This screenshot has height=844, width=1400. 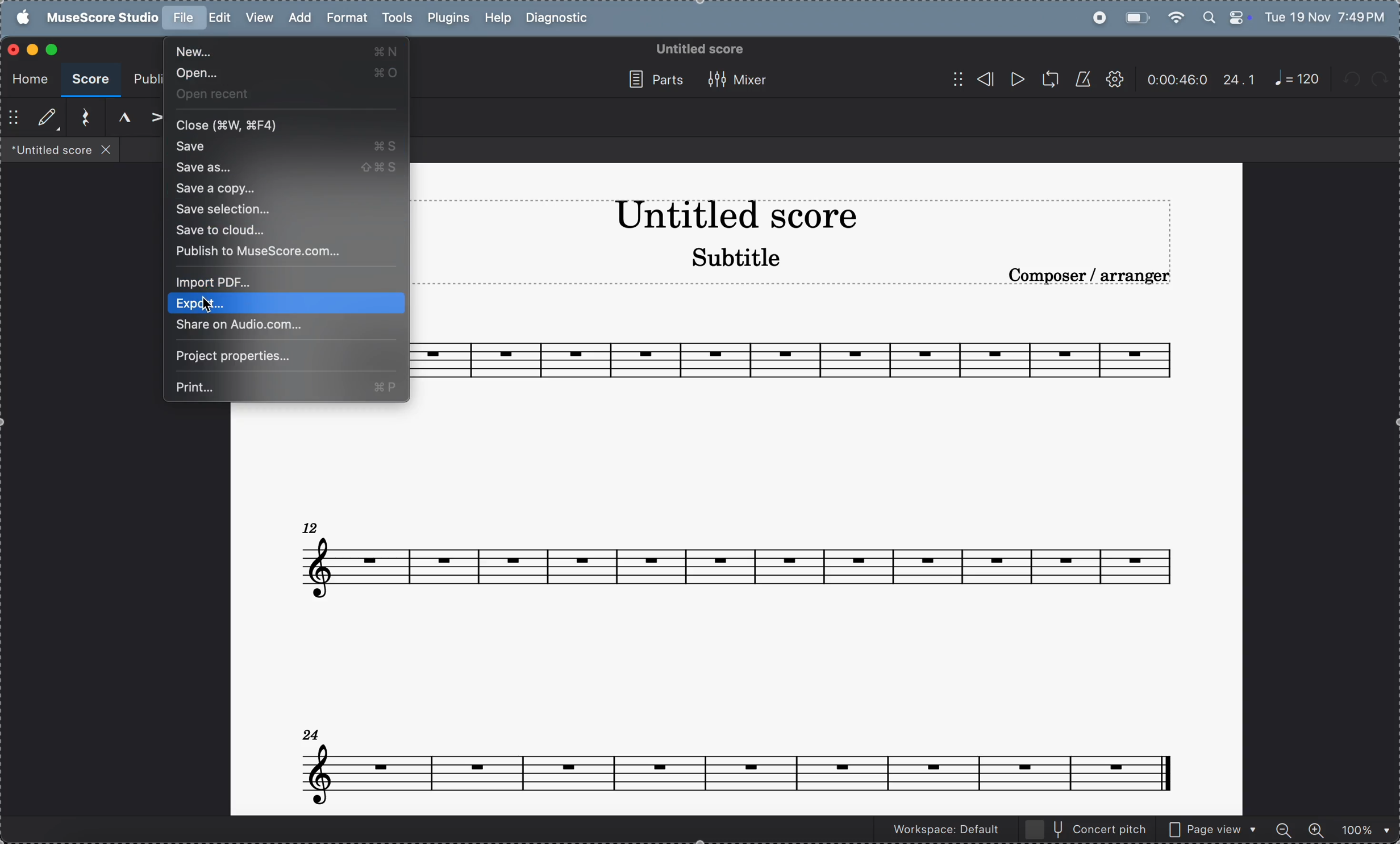 I want to click on , so click(x=288, y=52).